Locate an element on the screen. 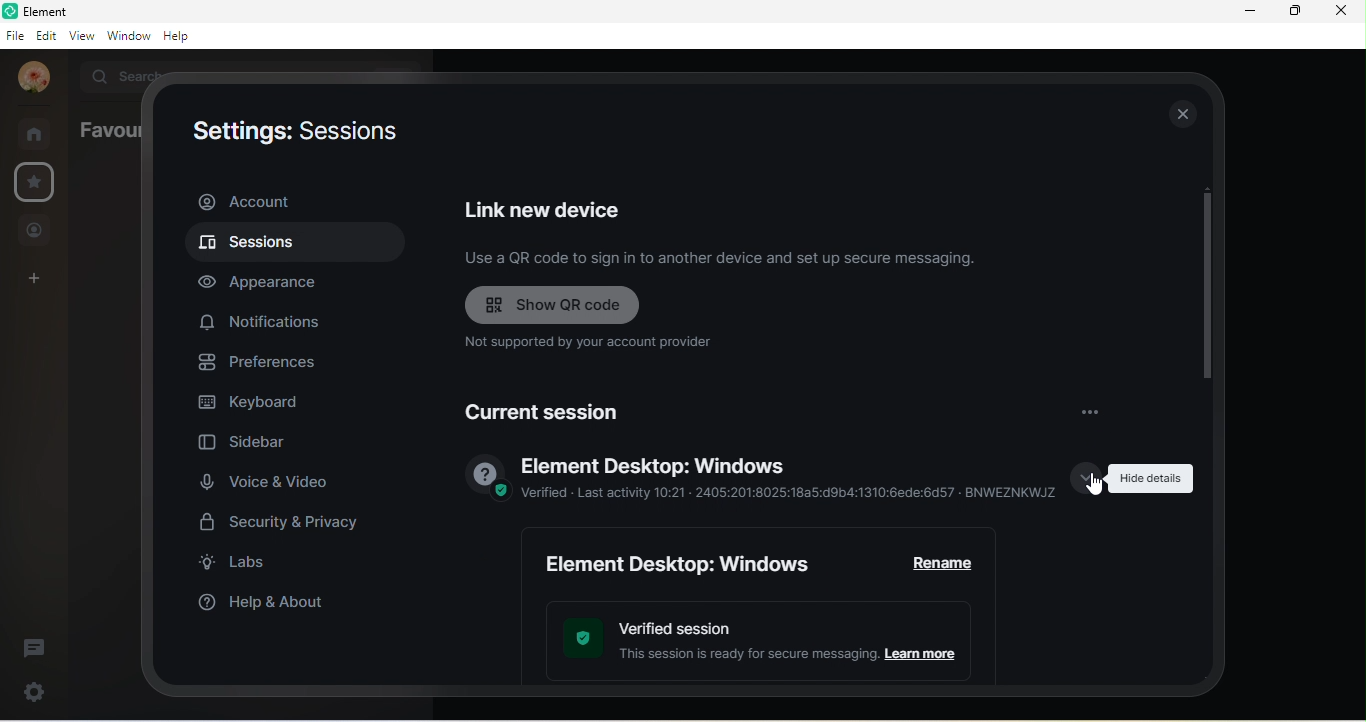  rooms is located at coordinates (39, 133).